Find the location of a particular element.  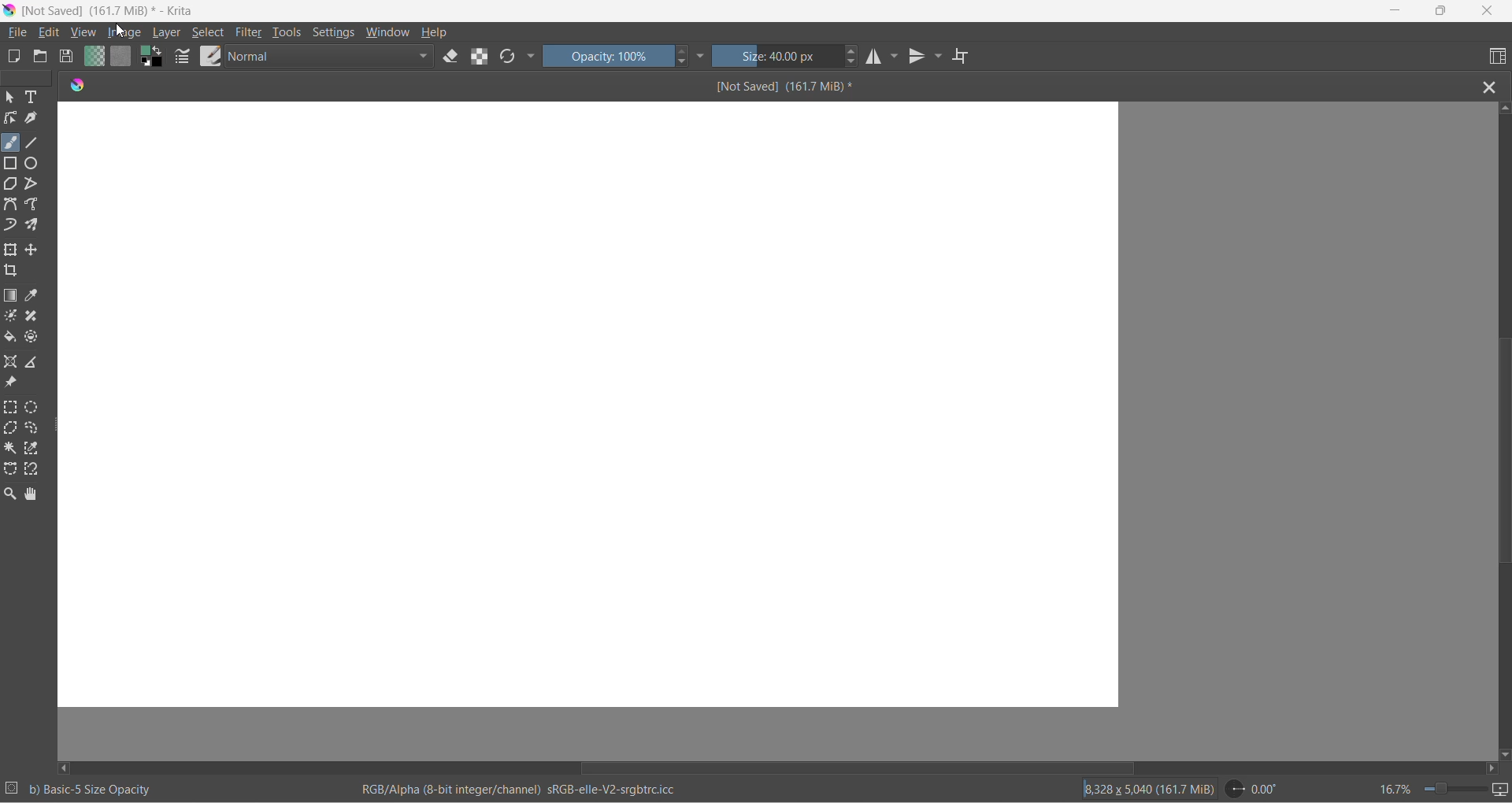

select is located at coordinates (211, 33).